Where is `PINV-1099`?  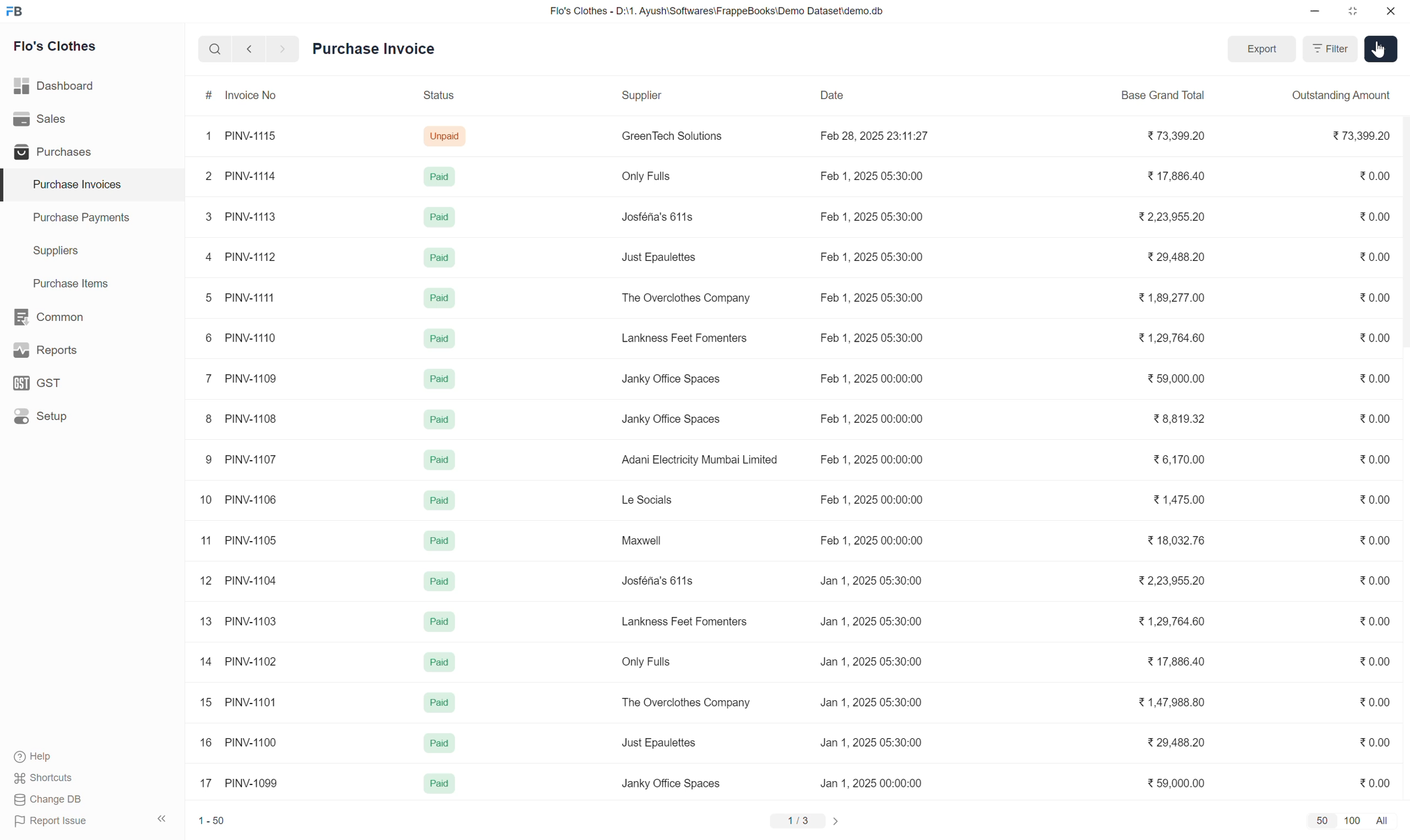
PINV-1099 is located at coordinates (258, 782).